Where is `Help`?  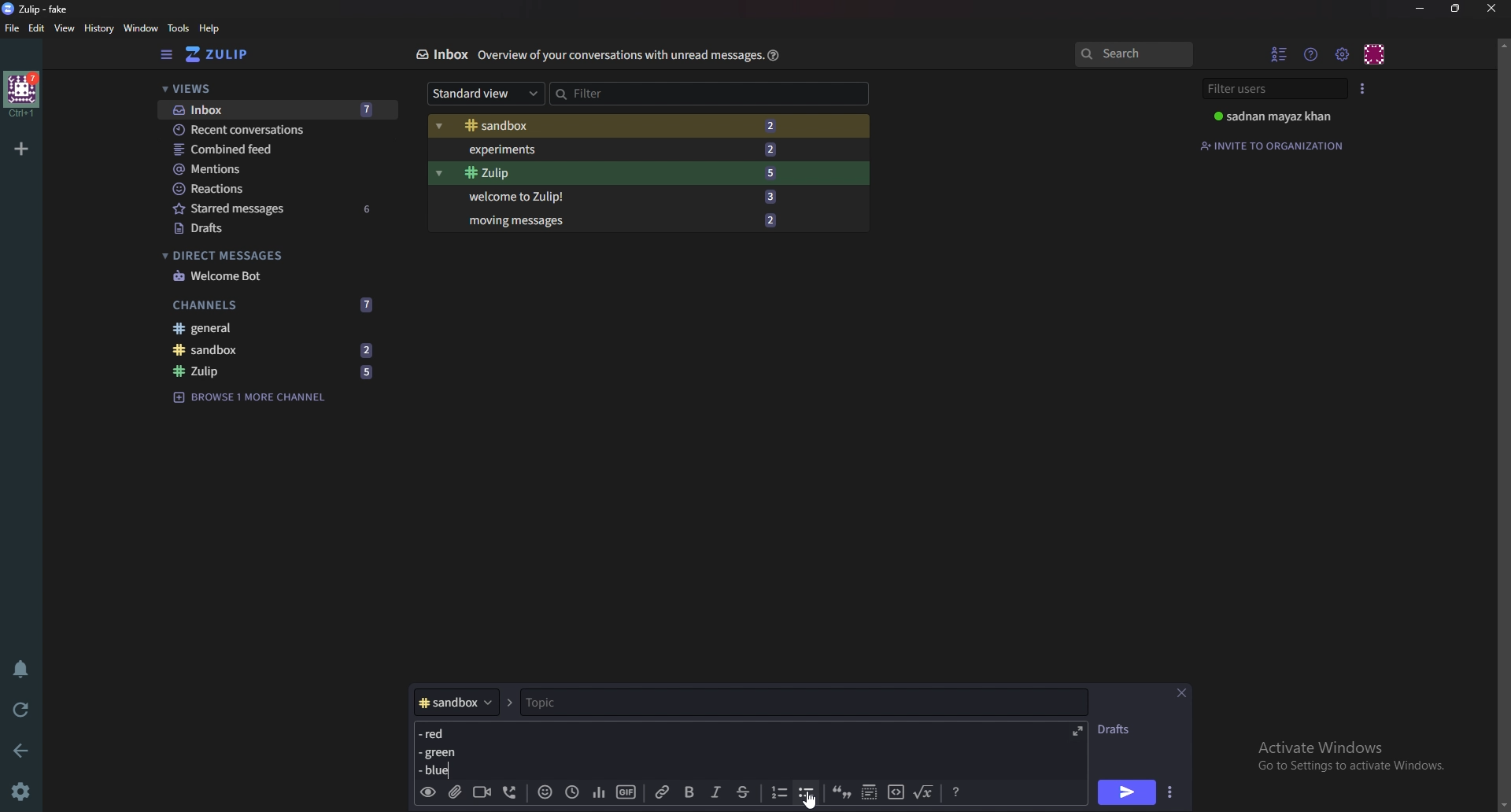 Help is located at coordinates (774, 54).